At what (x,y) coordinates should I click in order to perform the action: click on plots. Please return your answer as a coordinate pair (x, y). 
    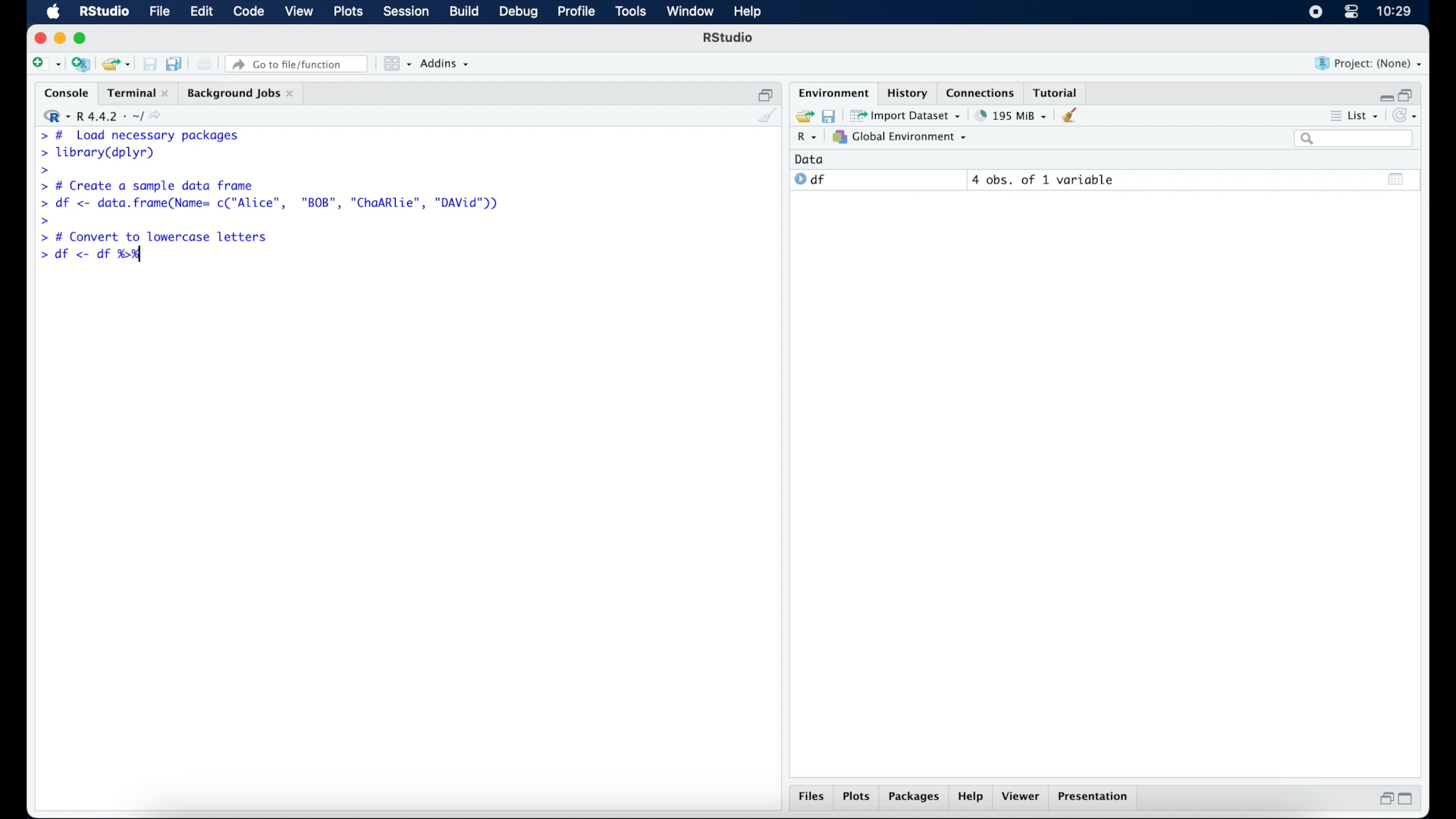
    Looking at the image, I should click on (350, 13).